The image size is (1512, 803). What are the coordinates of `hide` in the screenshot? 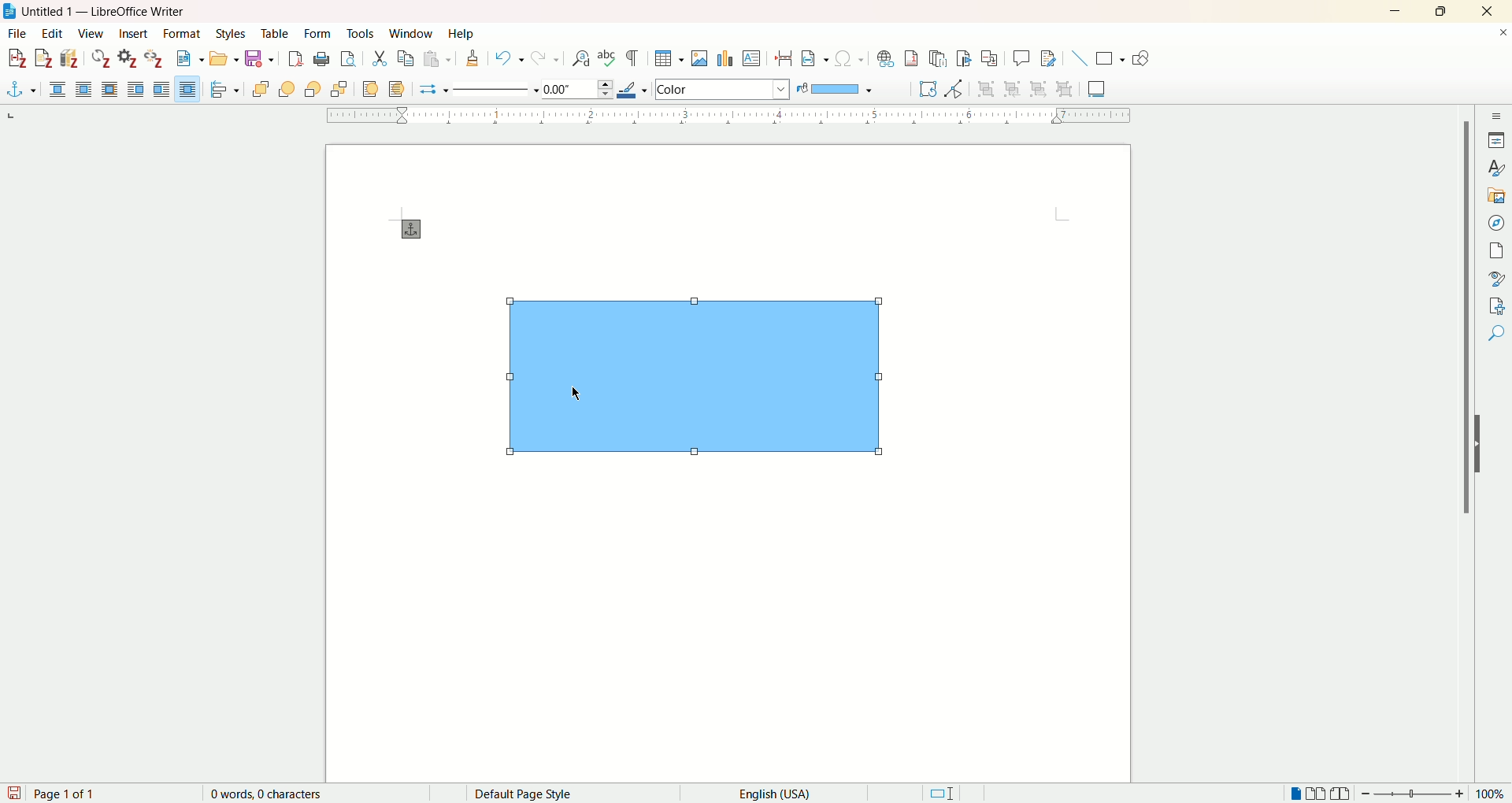 It's located at (1482, 443).